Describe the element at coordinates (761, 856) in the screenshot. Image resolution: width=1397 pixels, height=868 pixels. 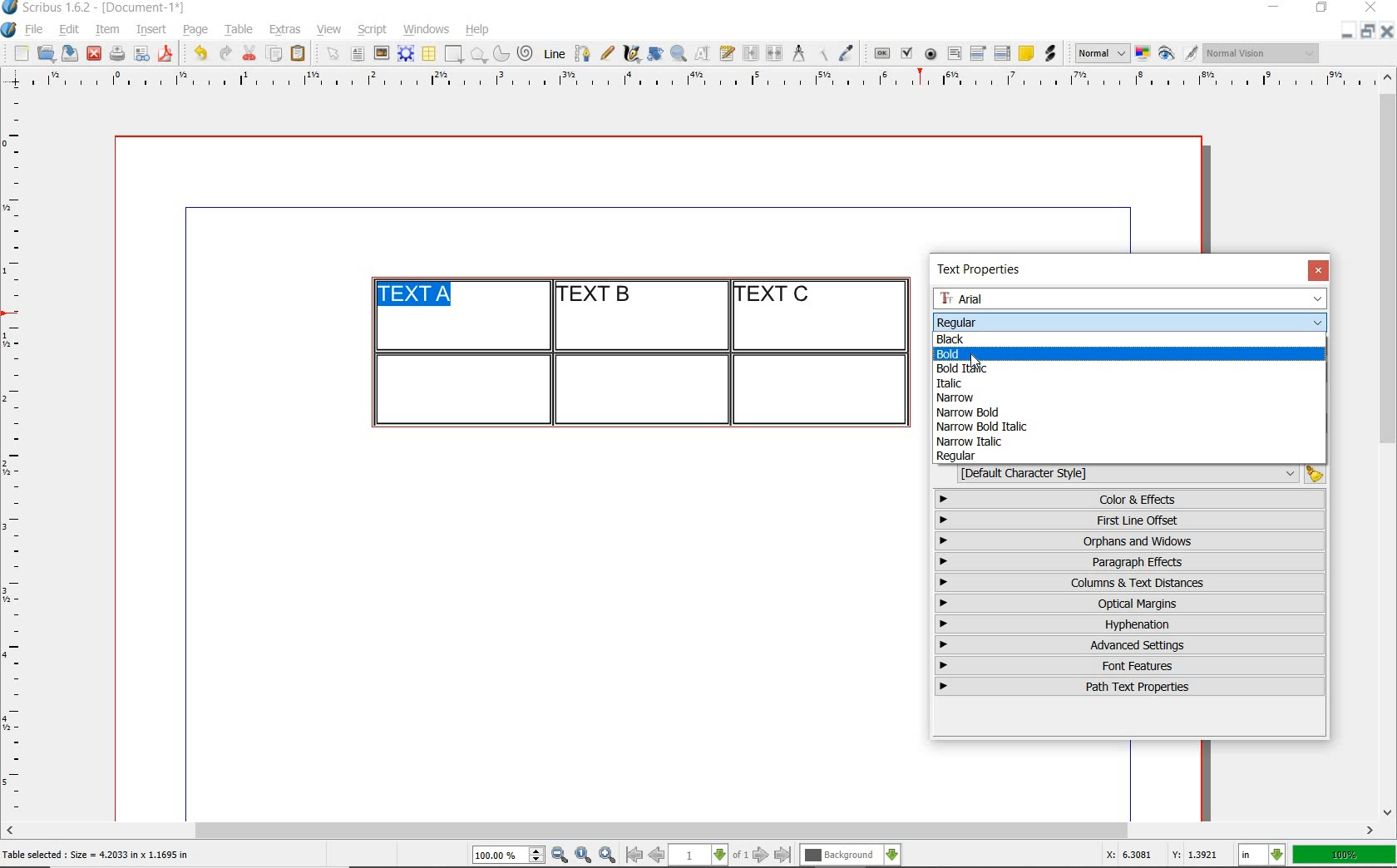
I see `go to next page` at that location.